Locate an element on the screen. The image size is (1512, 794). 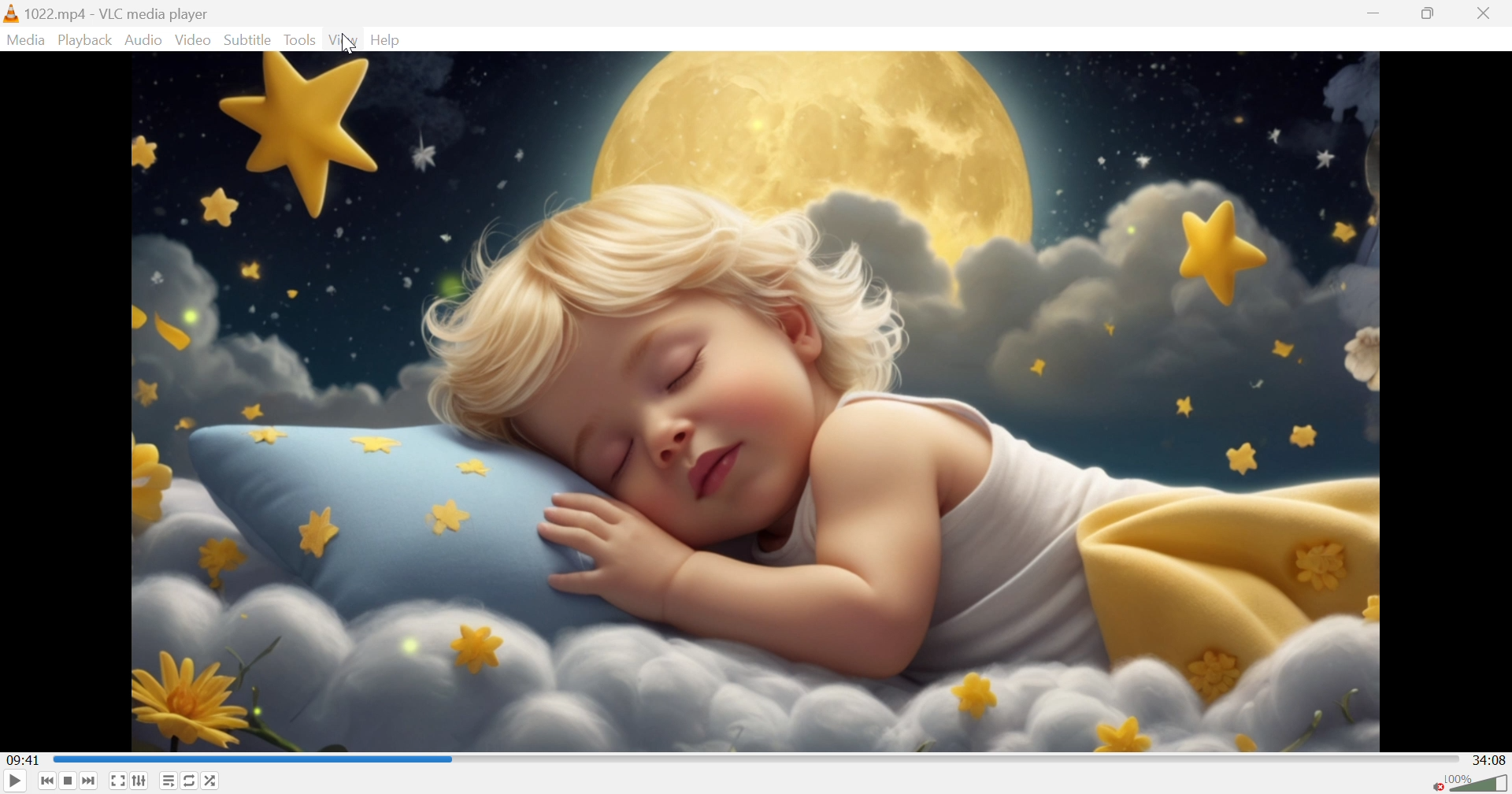
Previous media in the playlist, skip backward when held is located at coordinates (48, 782).